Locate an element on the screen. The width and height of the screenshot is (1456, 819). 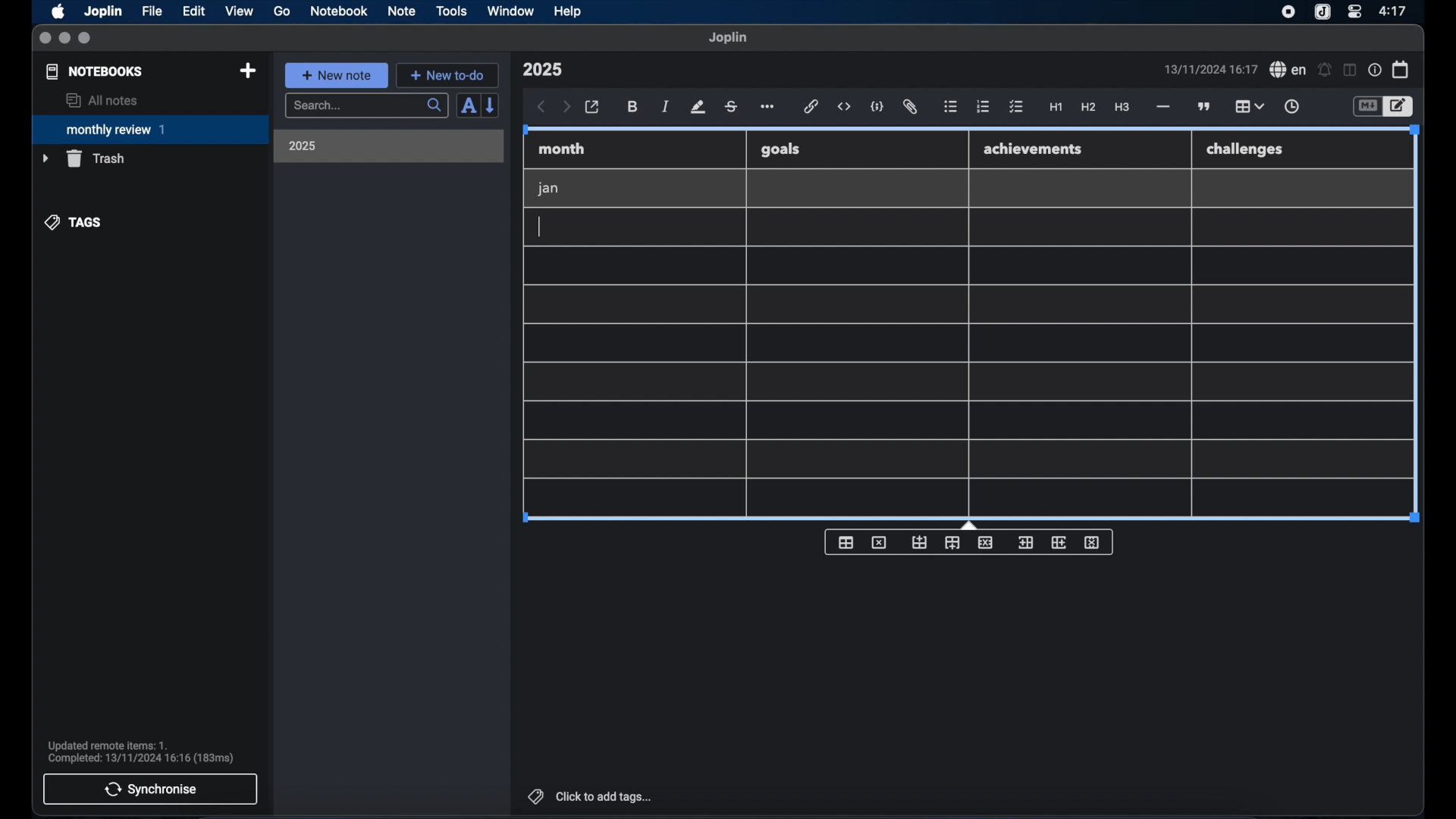
sort order field is located at coordinates (468, 106).